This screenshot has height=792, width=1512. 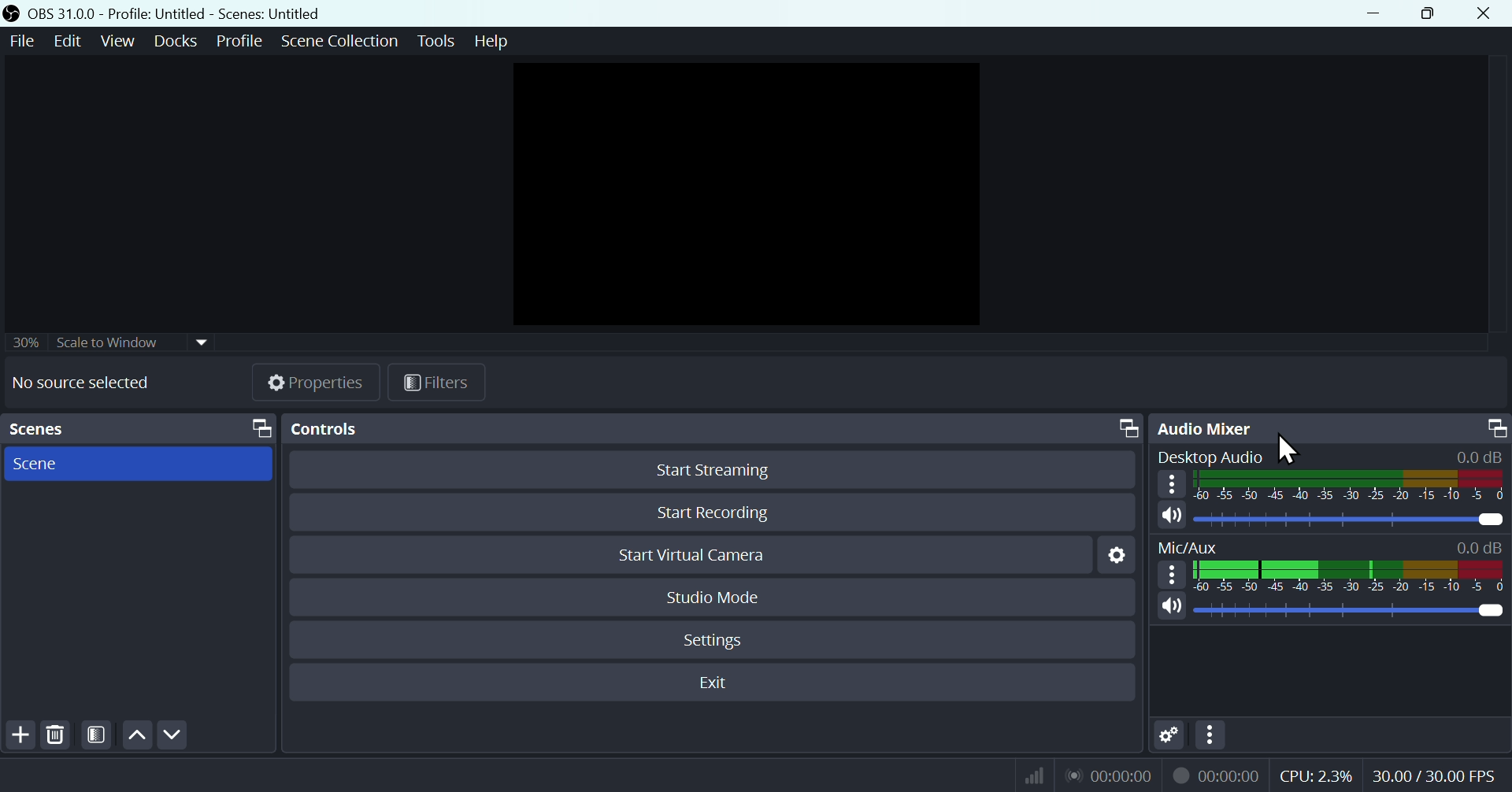 I want to click on OBA 31.00 - profile-Untitled - Scenes -Untitiled, so click(x=200, y=13).